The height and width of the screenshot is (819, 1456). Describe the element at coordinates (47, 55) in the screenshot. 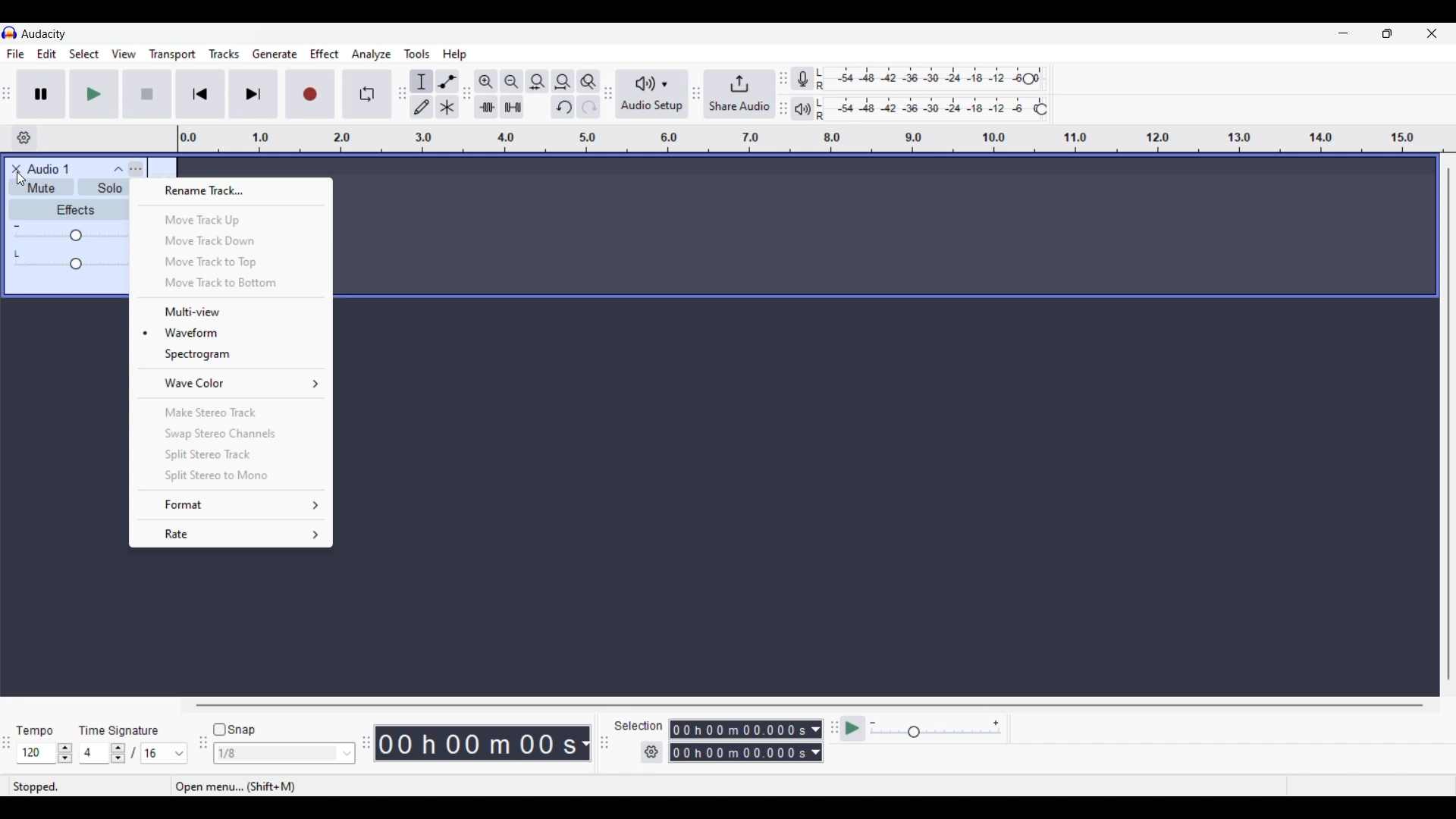

I see `Edit menu` at that location.